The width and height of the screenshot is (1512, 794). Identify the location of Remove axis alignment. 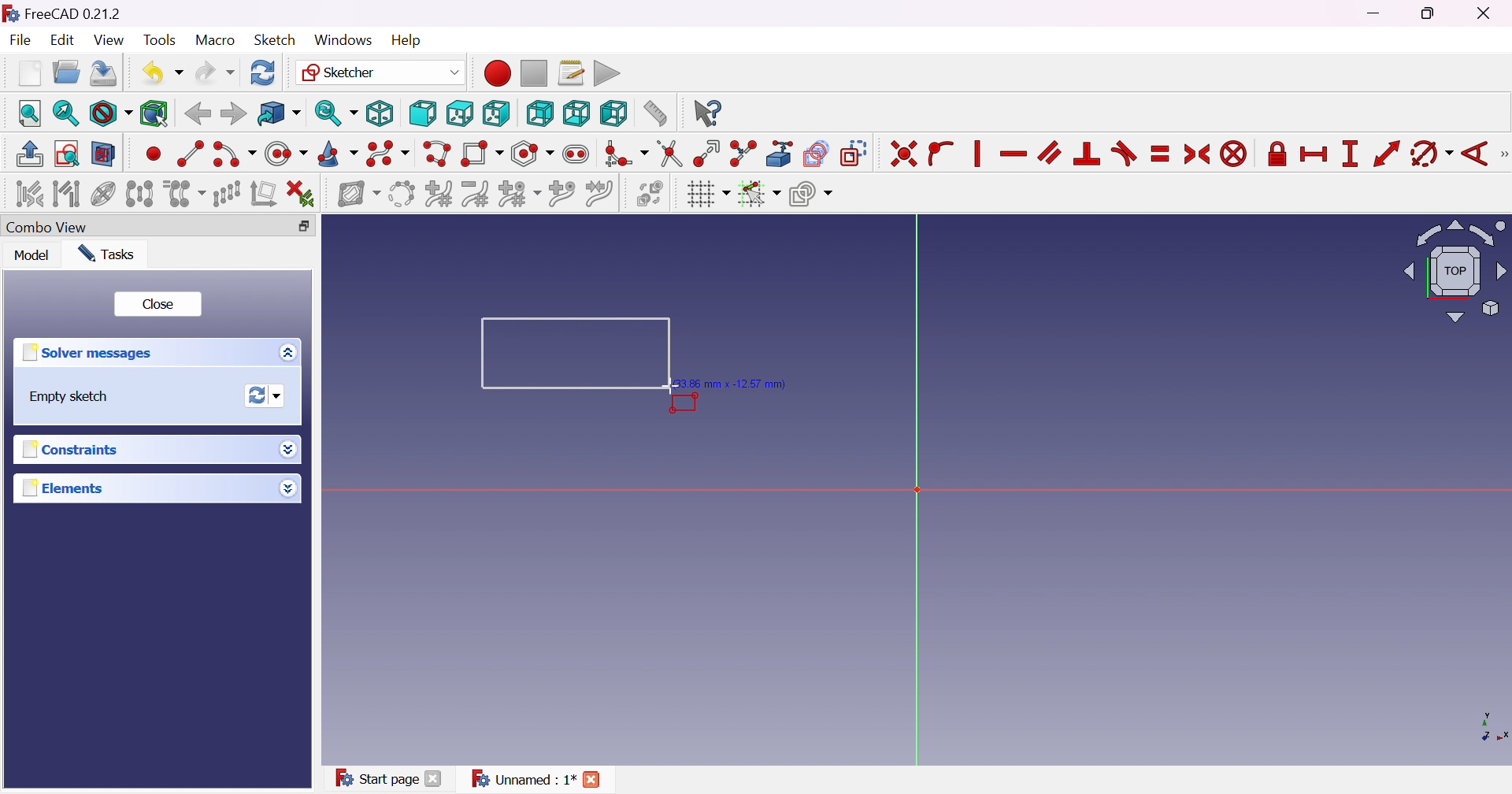
(262, 193).